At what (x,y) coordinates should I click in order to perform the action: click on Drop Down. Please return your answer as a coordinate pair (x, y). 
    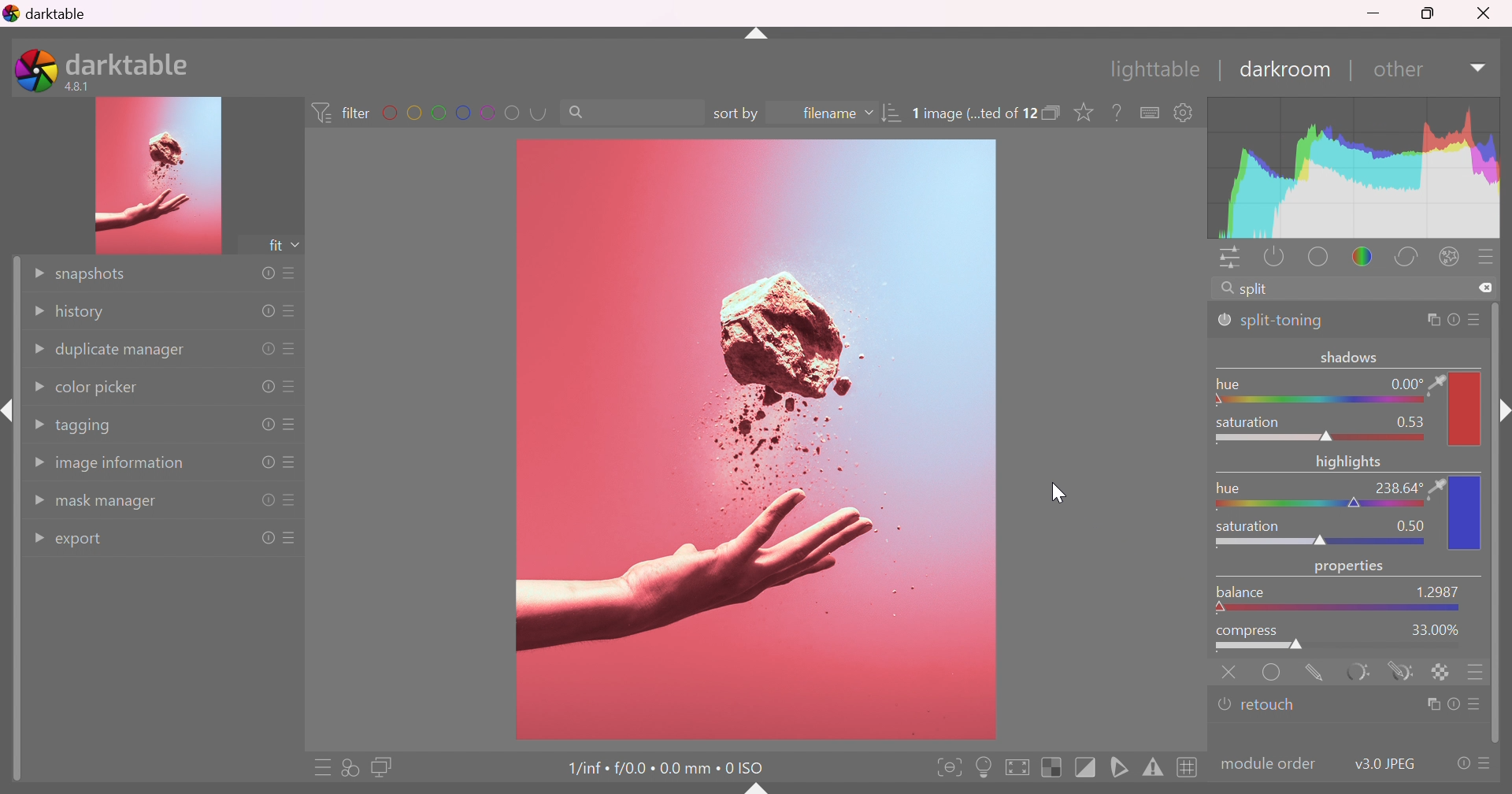
    Looking at the image, I should click on (40, 348).